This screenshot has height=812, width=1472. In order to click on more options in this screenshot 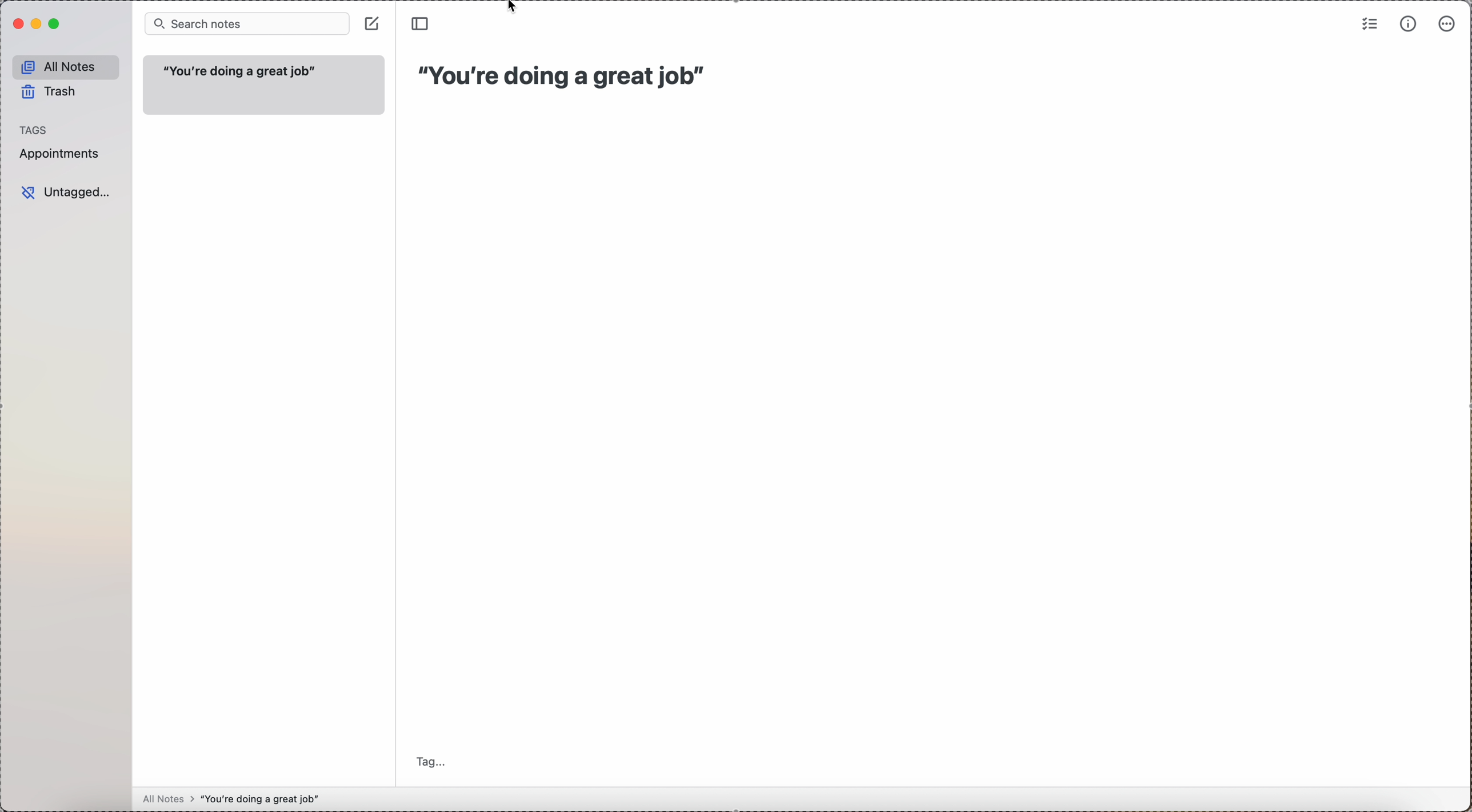, I will do `click(1448, 25)`.